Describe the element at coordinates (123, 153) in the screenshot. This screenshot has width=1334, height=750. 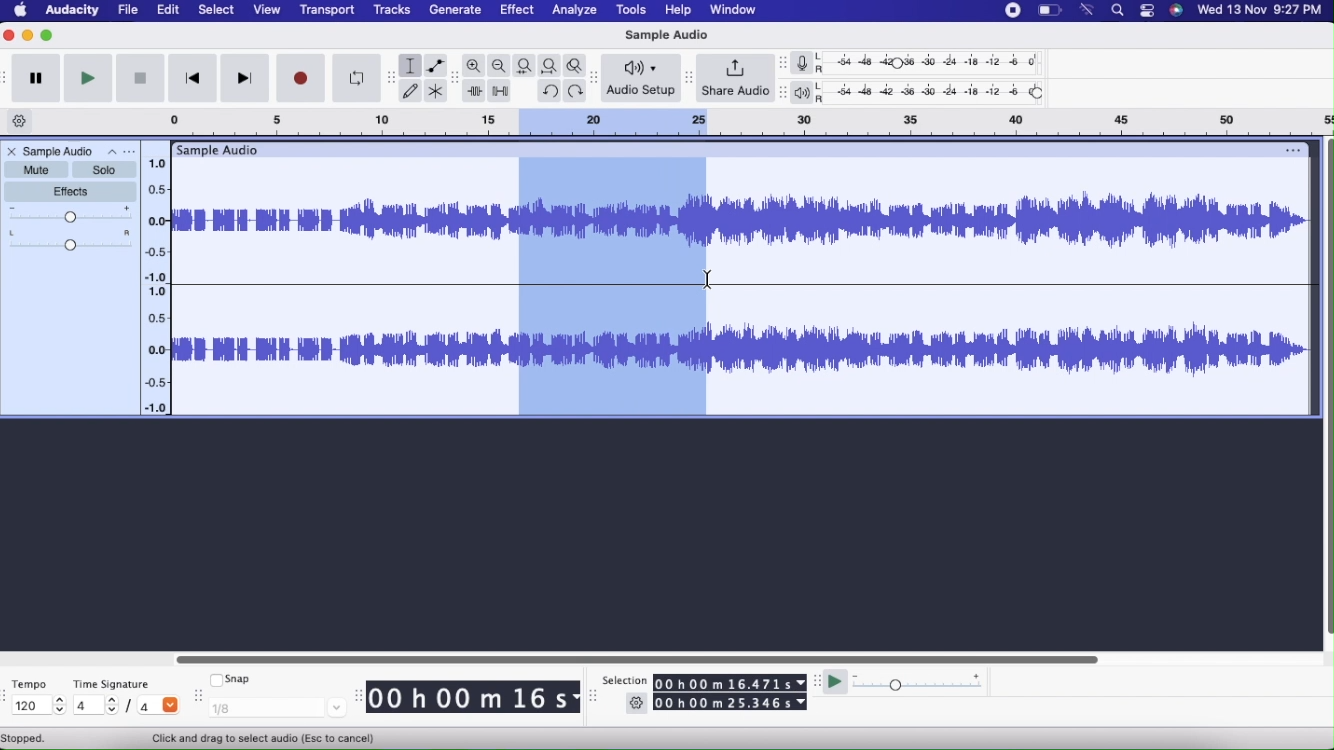
I see `more options` at that location.